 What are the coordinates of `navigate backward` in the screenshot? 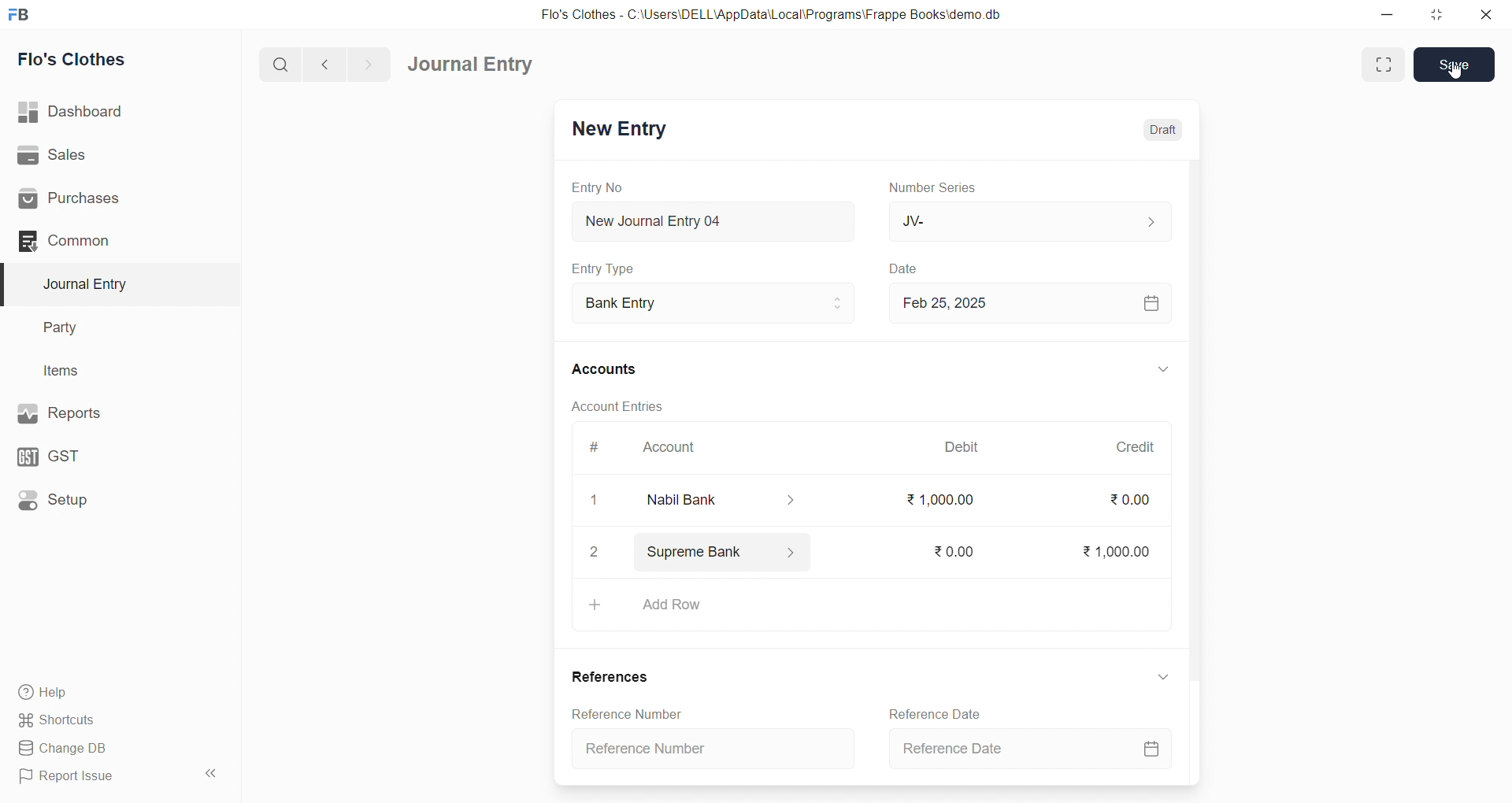 It's located at (332, 62).